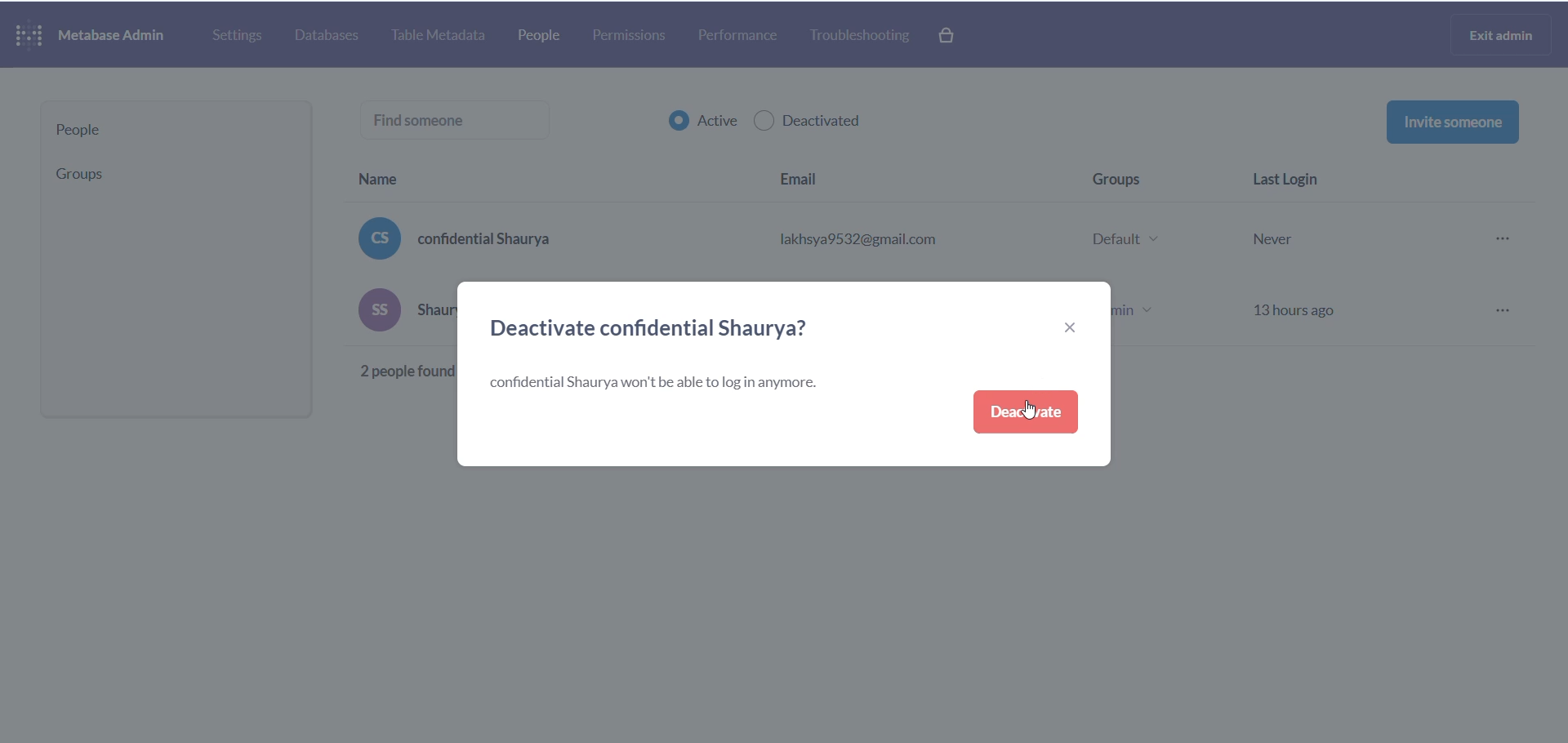  What do you see at coordinates (1502, 34) in the screenshot?
I see `exit admin` at bounding box center [1502, 34].